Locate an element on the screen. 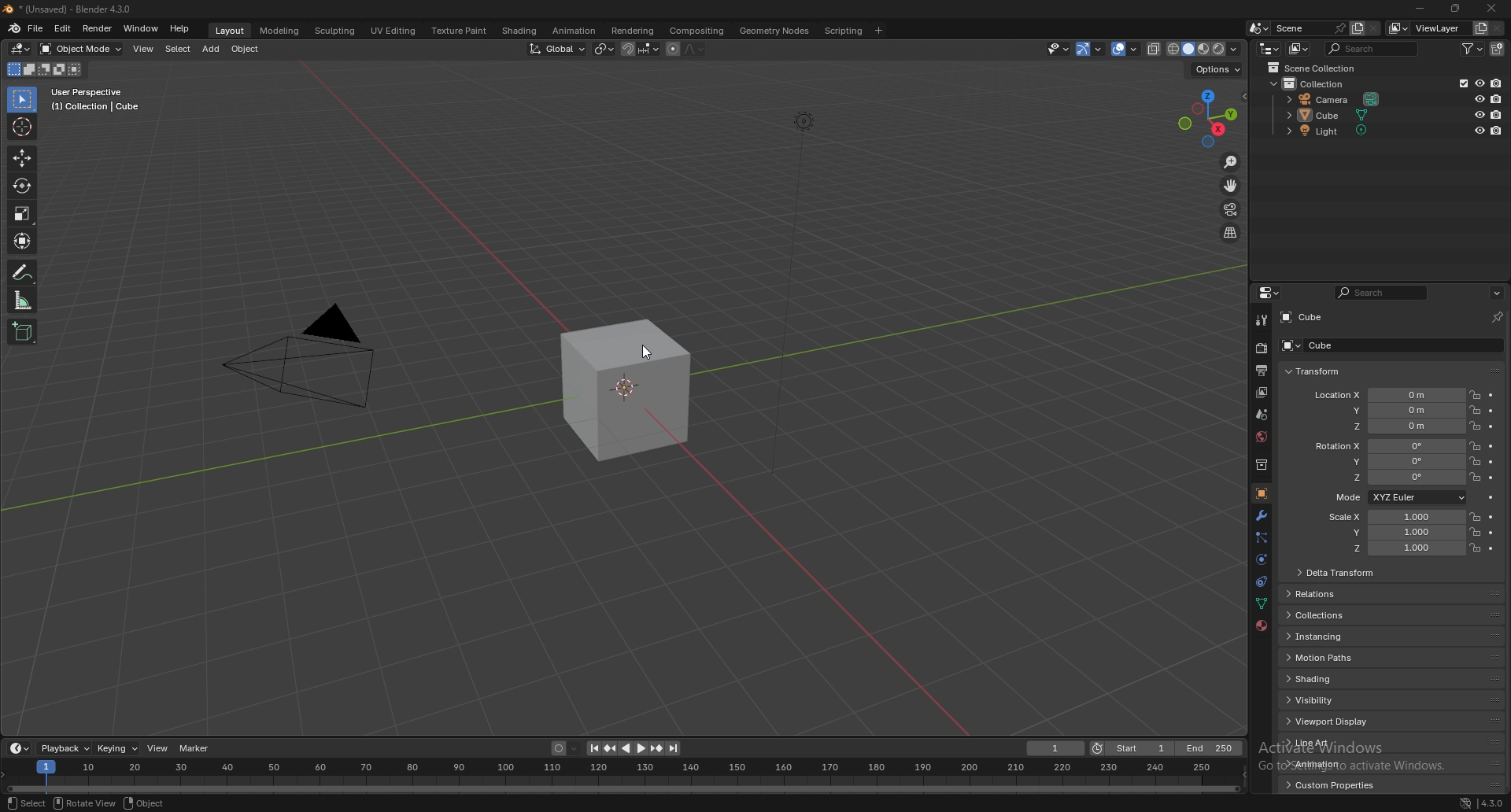 The height and width of the screenshot is (812, 1511). tool is located at coordinates (1261, 319).